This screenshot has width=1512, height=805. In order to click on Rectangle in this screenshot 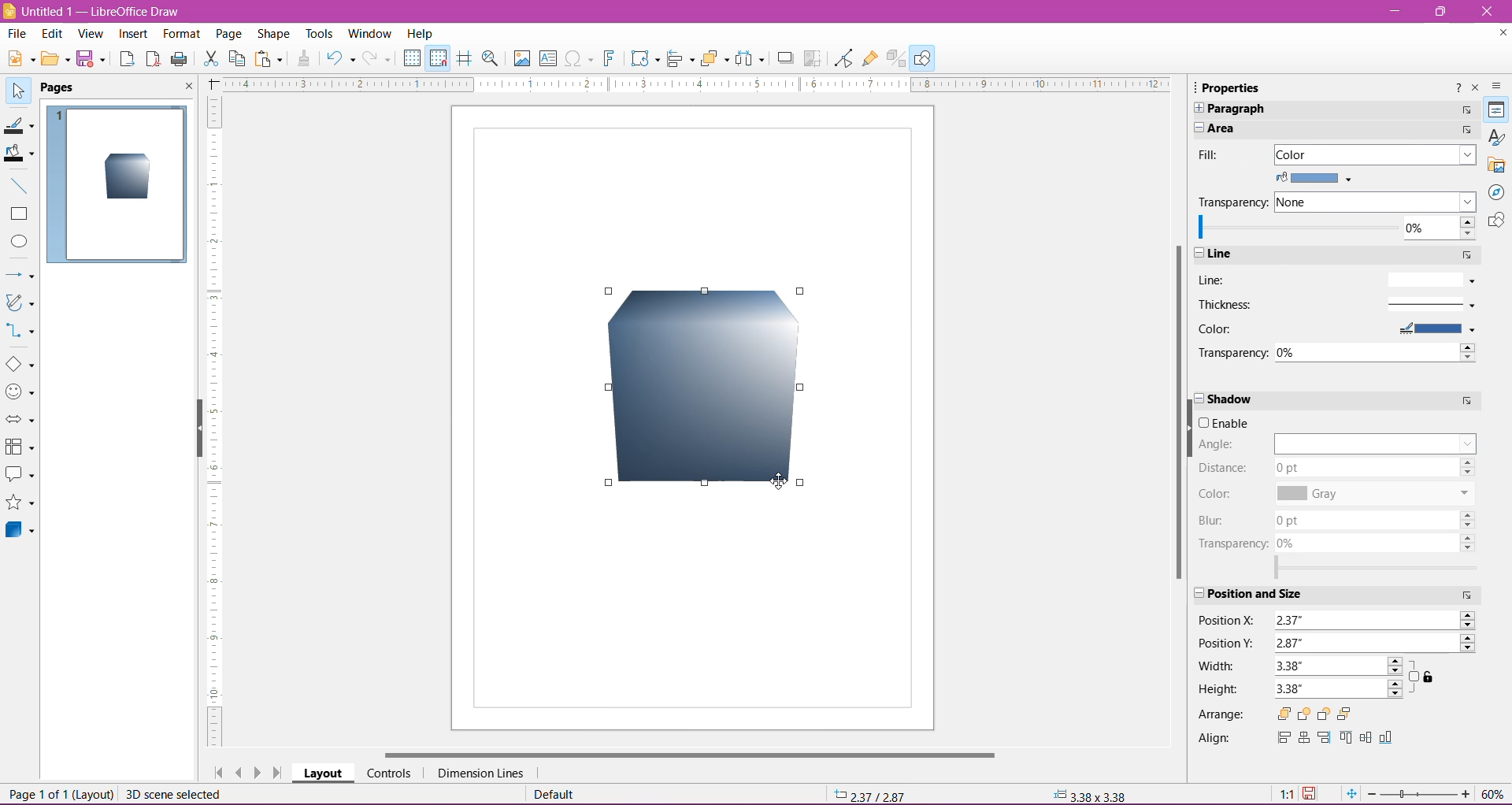, I will do `click(19, 214)`.